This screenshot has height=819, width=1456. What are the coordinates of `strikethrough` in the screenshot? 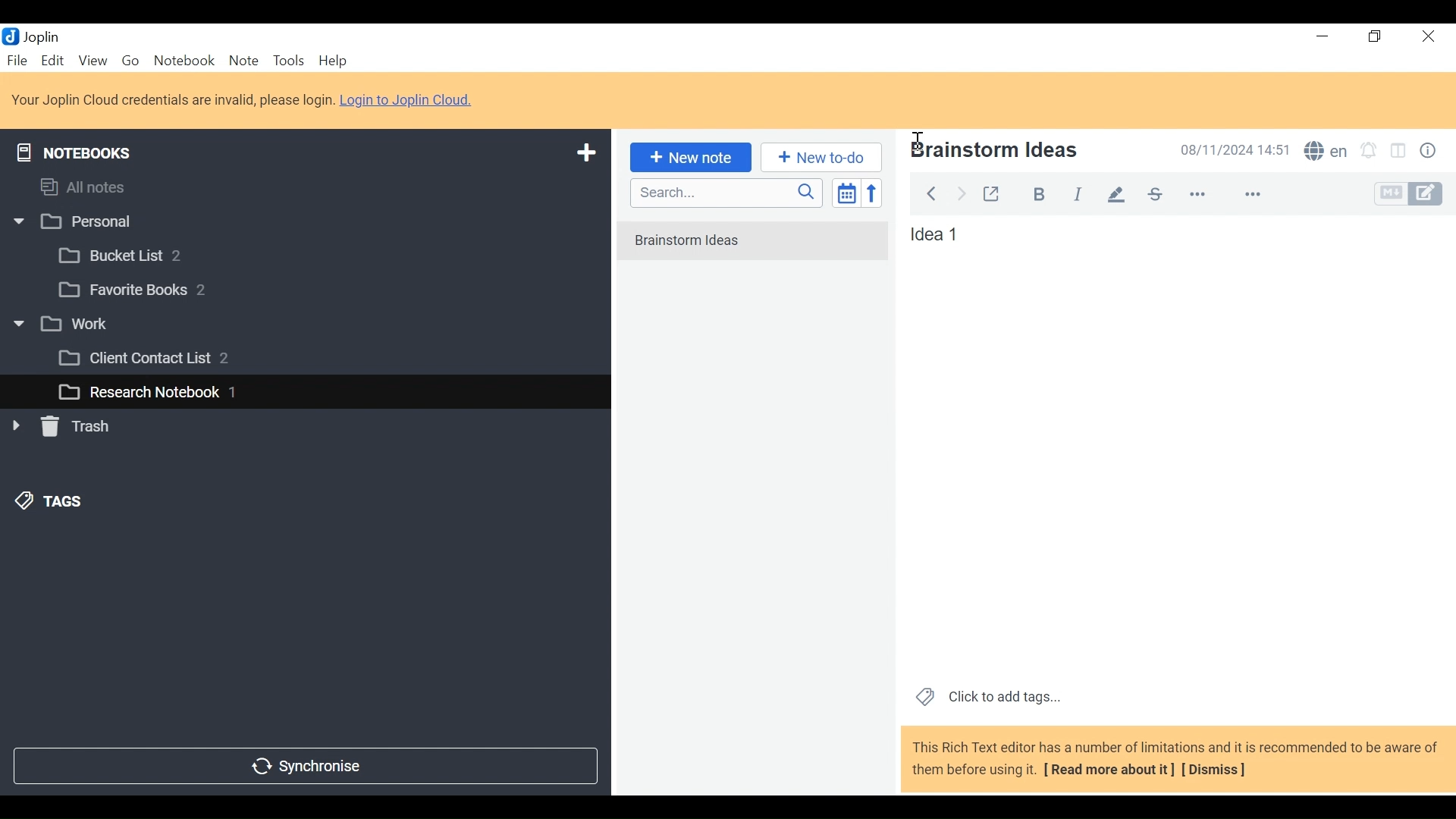 It's located at (1154, 193).